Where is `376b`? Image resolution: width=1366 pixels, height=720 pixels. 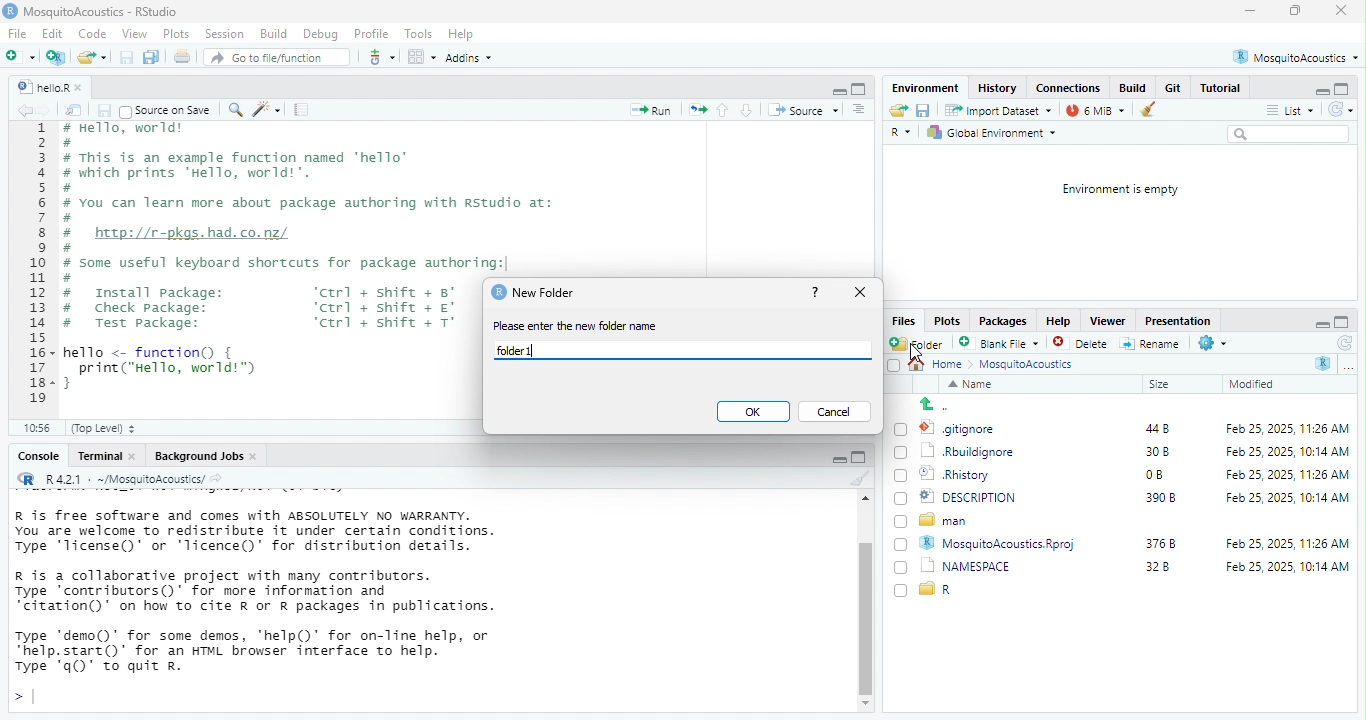
376b is located at coordinates (1162, 542).